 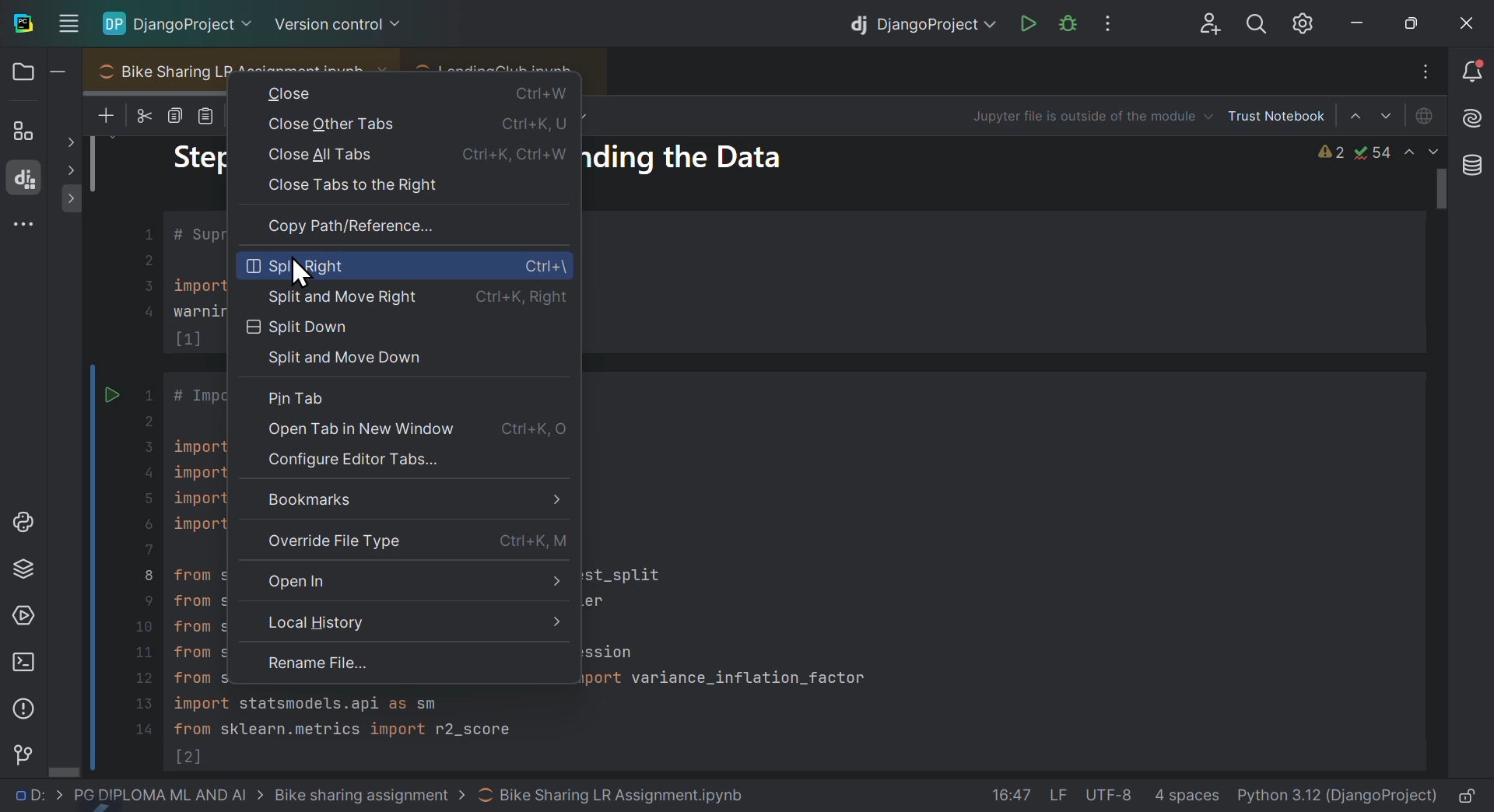 I want to click on file data, so click(x=1103, y=794).